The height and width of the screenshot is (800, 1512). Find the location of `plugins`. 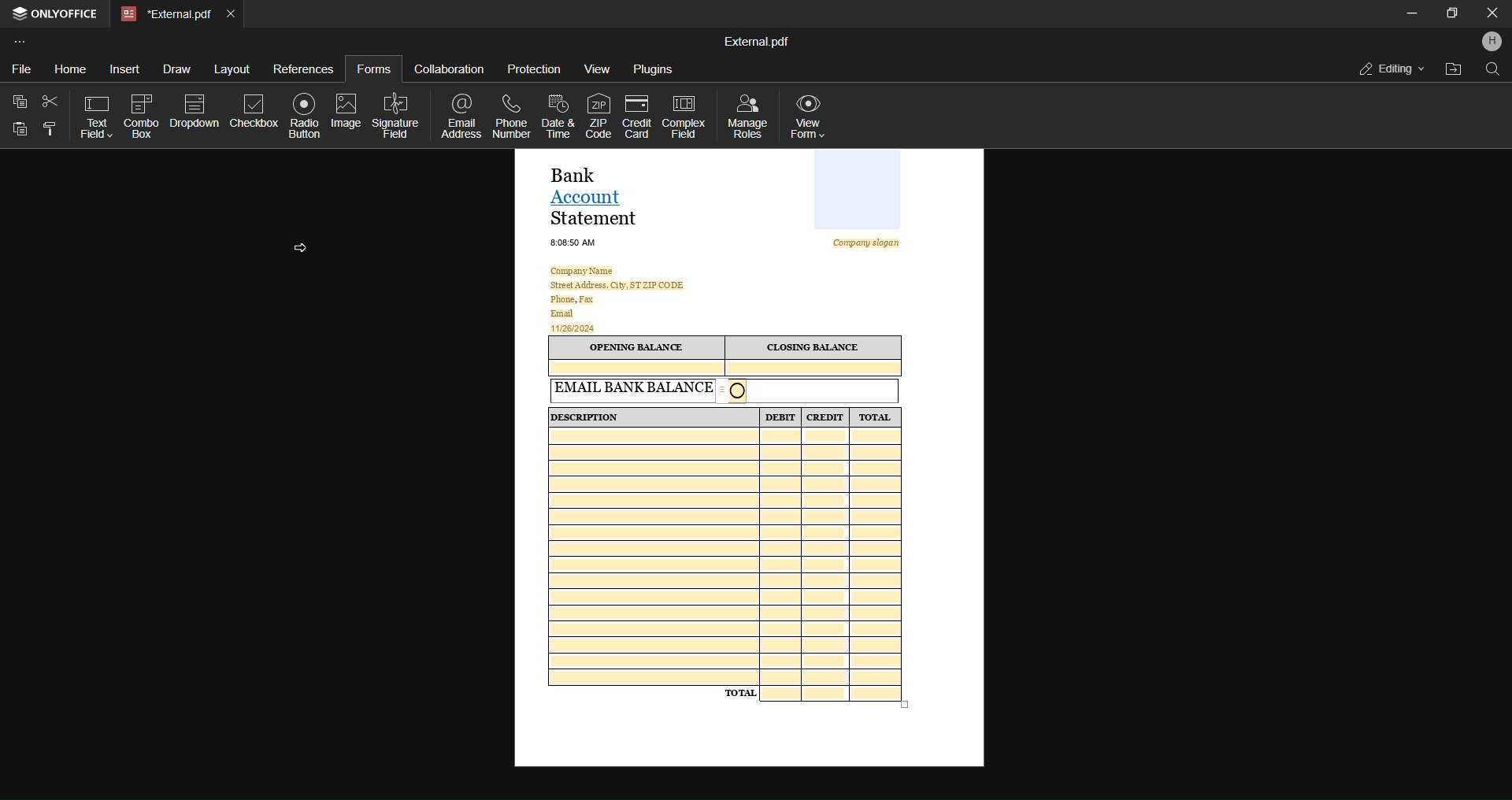

plugins is located at coordinates (650, 69).